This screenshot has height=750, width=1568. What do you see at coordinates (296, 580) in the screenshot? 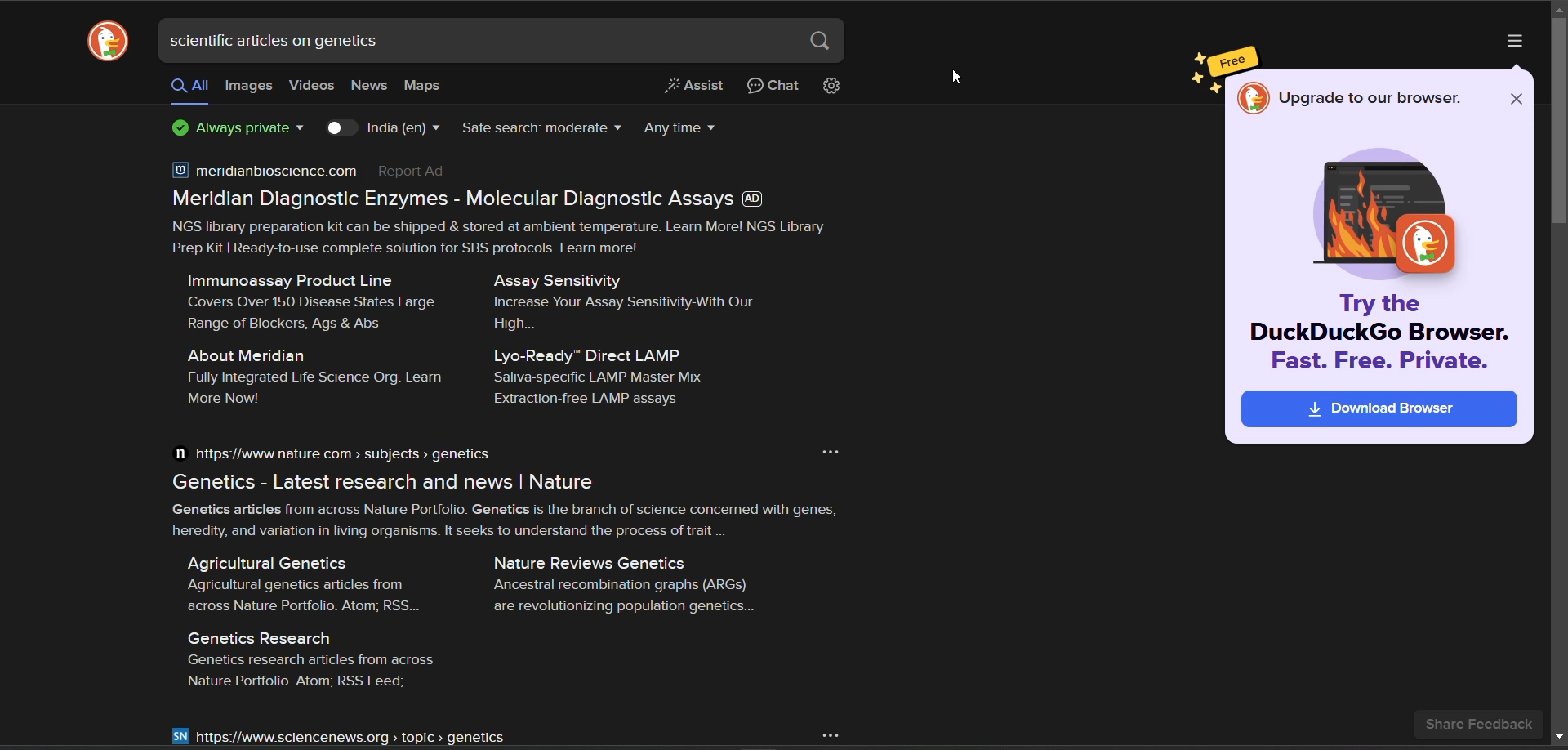
I see `Agricultural Genetics
Agricultural genetics articles from
across Nature Portfolio. Atom; RSS.` at bounding box center [296, 580].